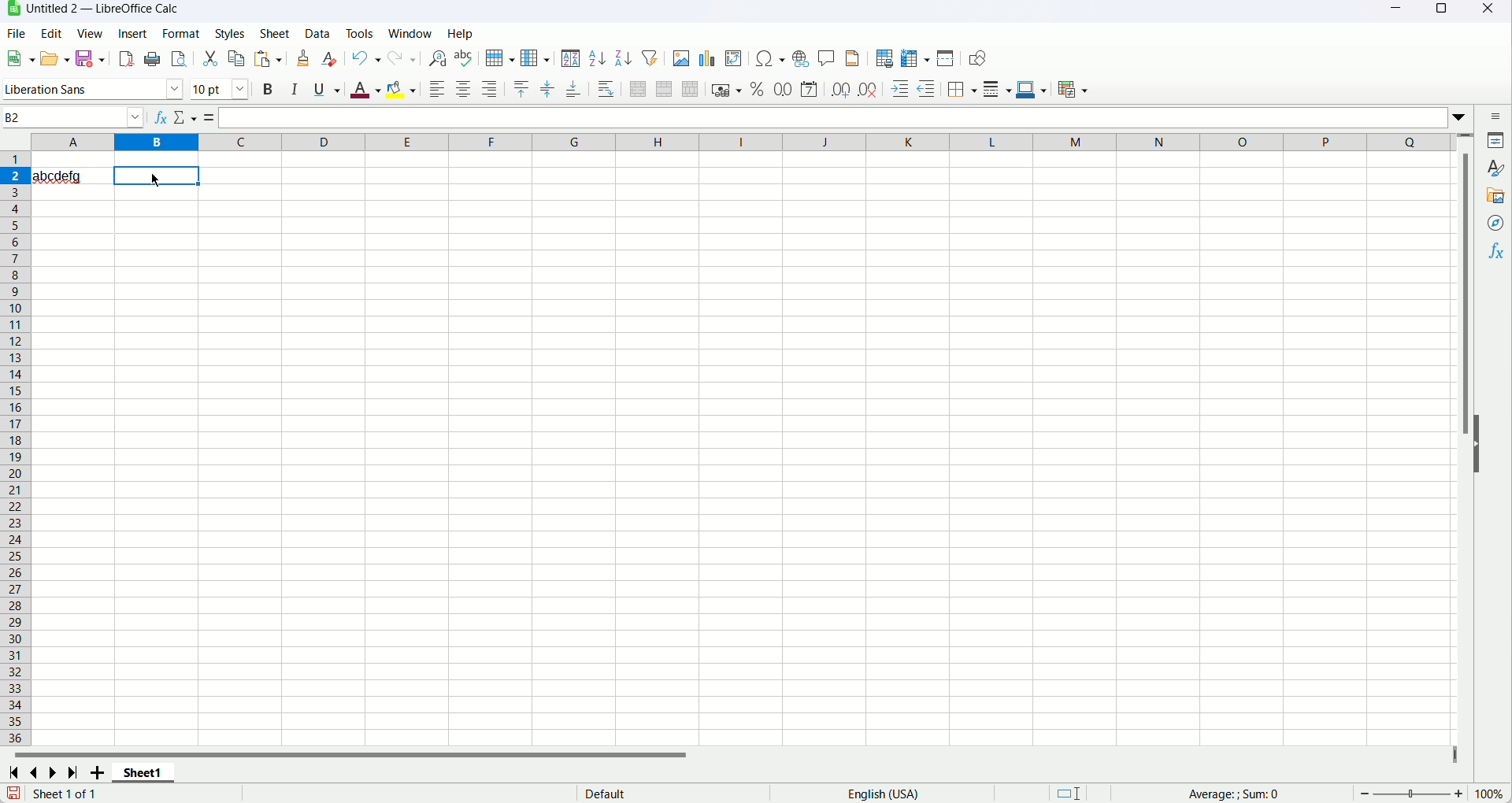 The height and width of the screenshot is (803, 1512). I want to click on insert, so click(137, 34).